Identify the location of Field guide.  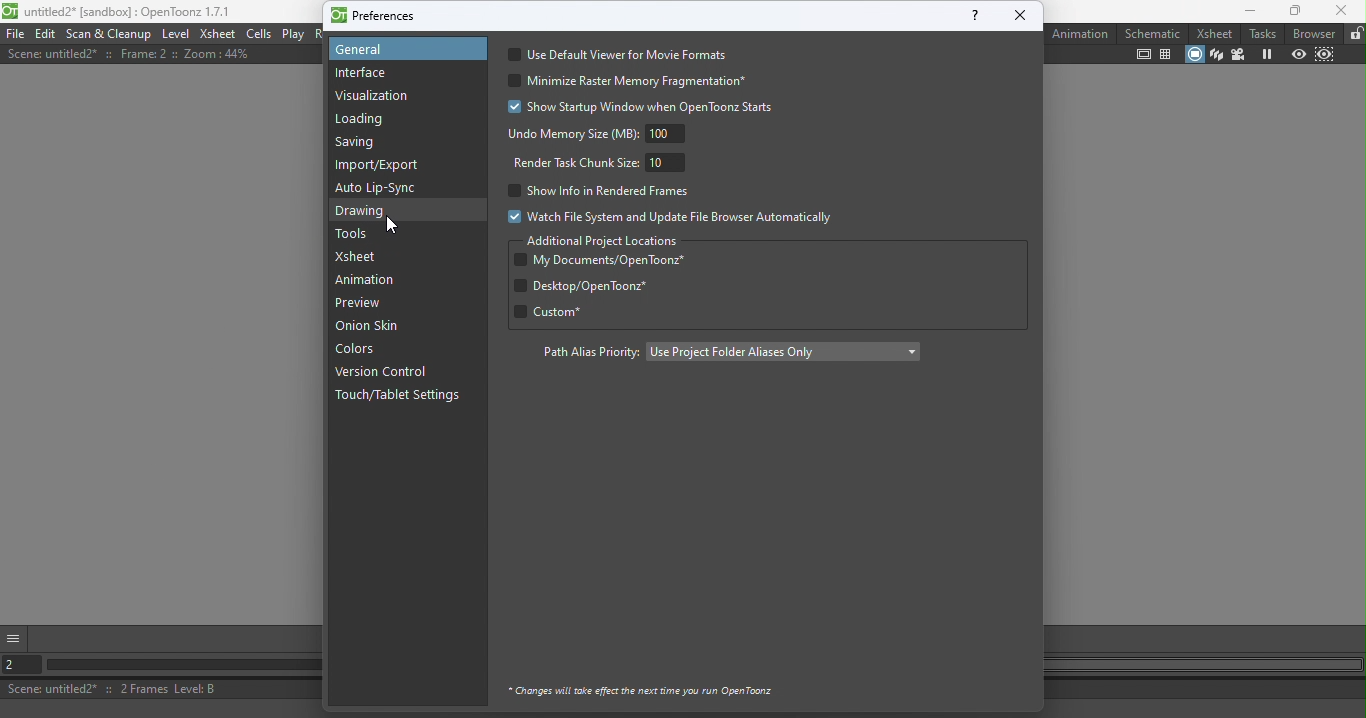
(1166, 55).